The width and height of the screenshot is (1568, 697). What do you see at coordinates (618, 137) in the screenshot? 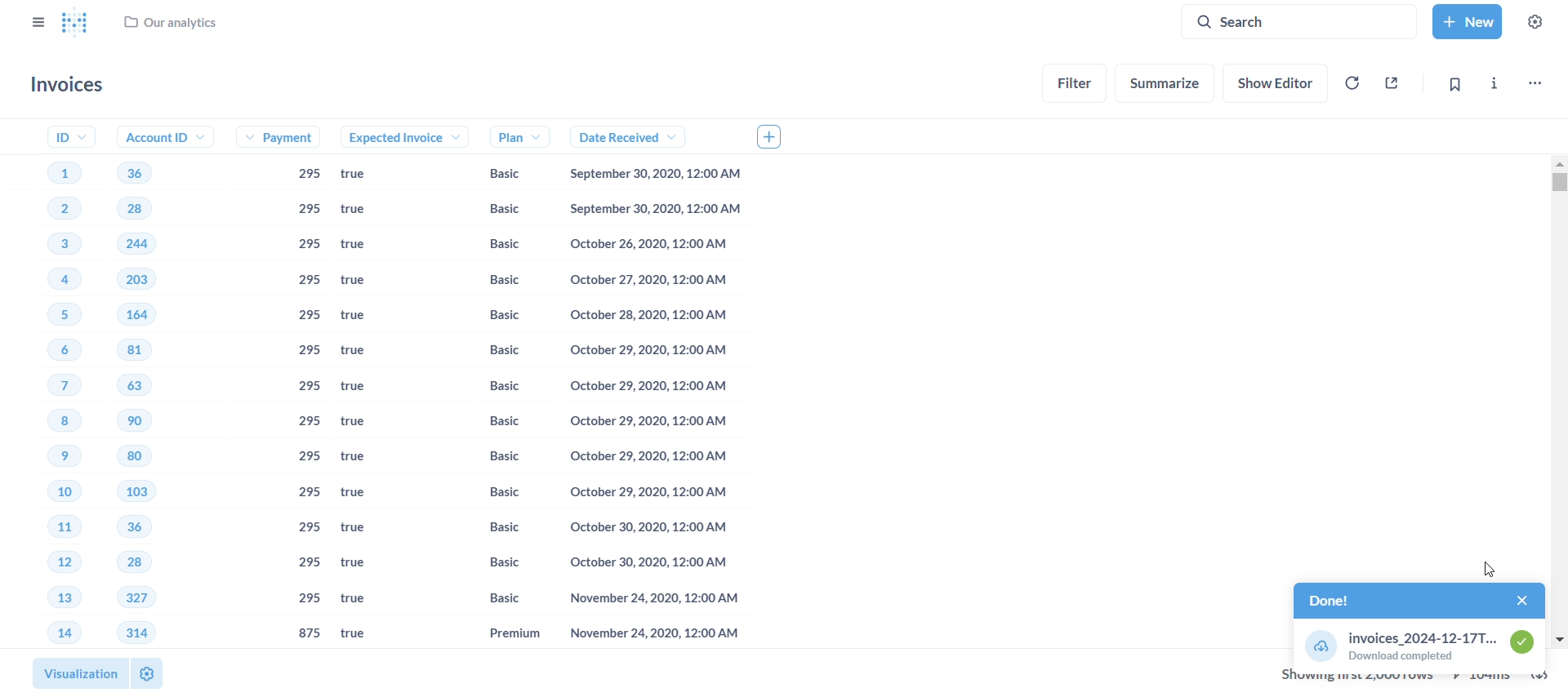
I see `date received` at bounding box center [618, 137].